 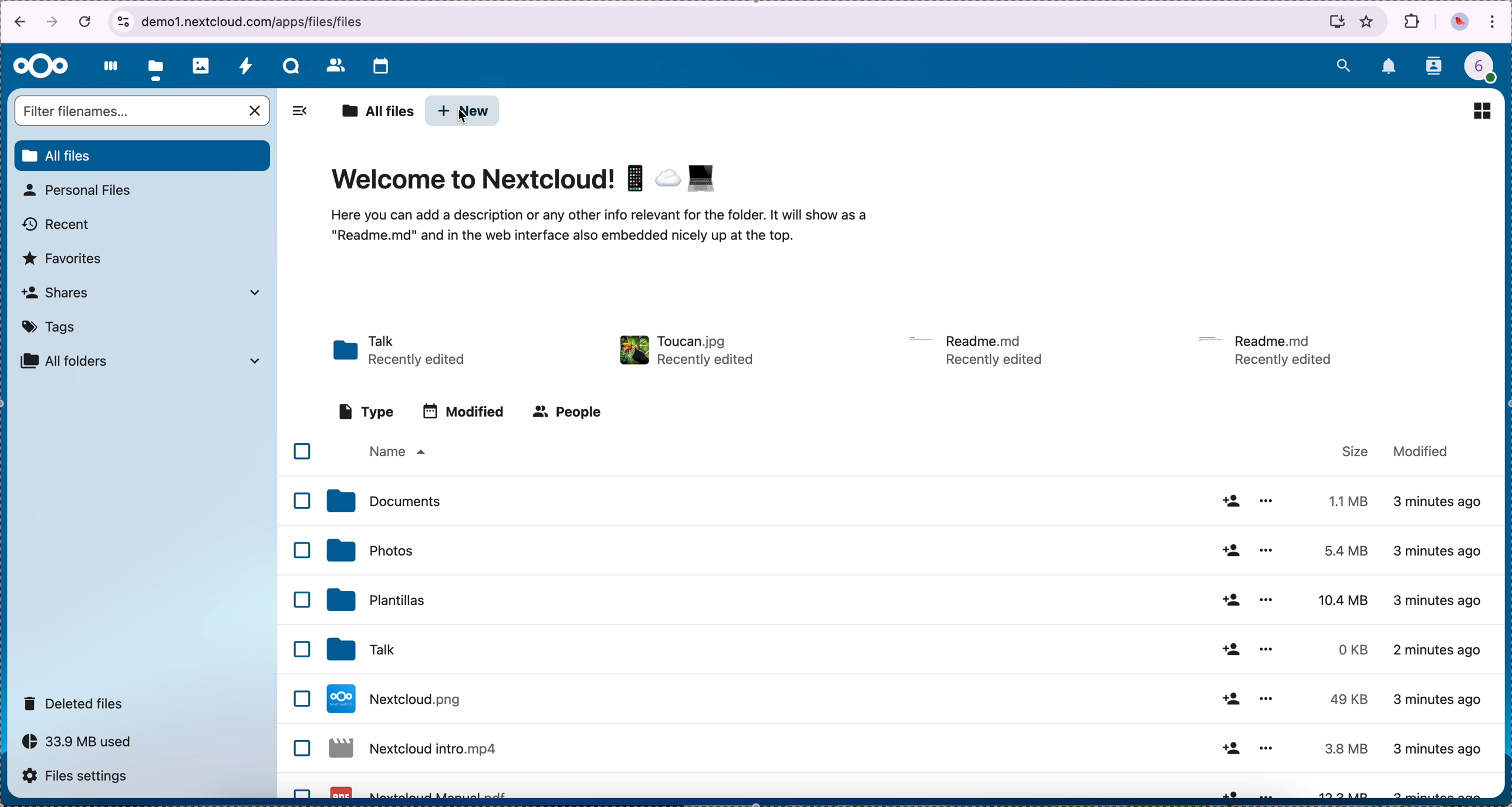 I want to click on Nextcloud logo, so click(x=41, y=67).